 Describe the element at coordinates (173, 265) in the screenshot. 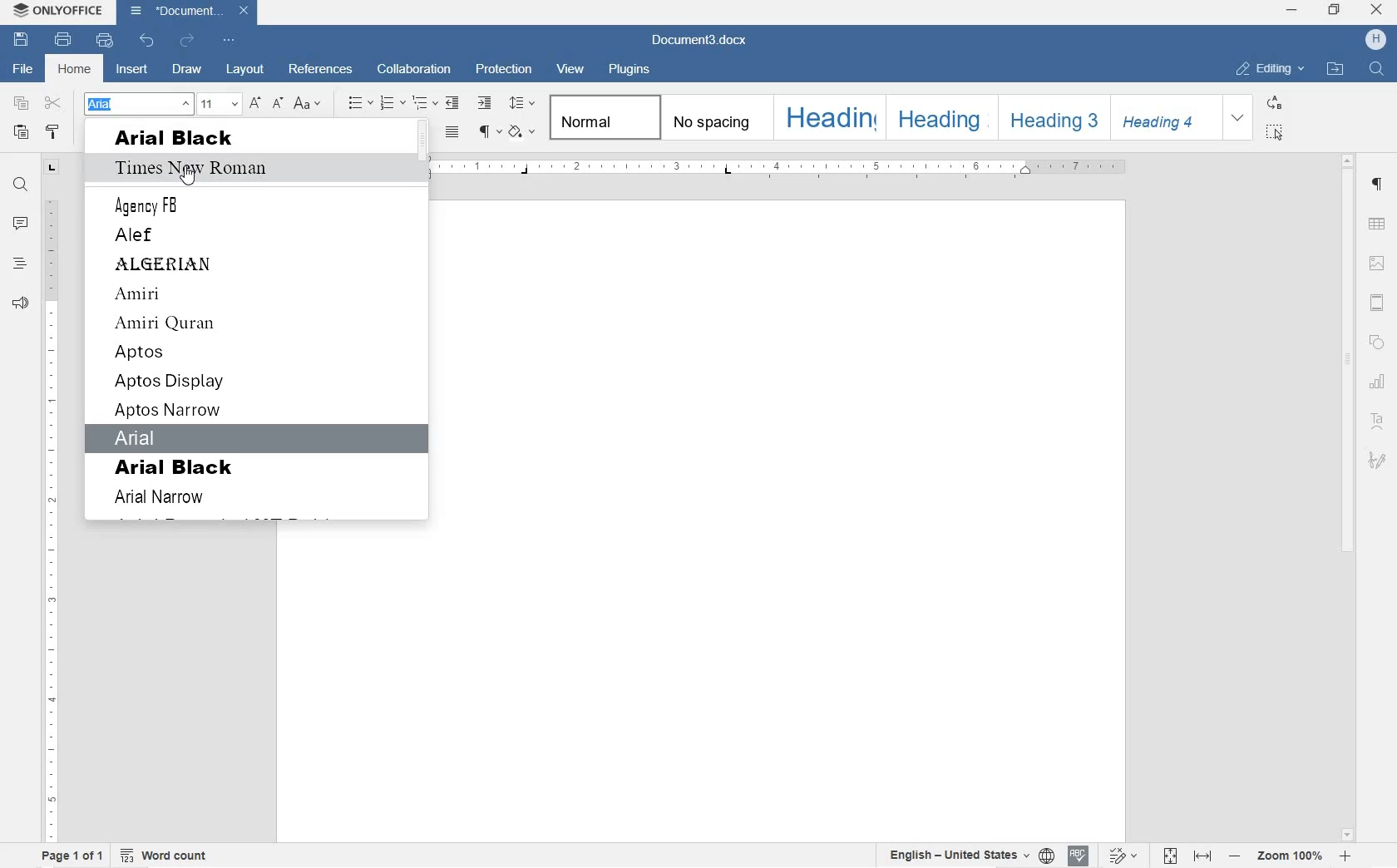

I see `algerian` at that location.